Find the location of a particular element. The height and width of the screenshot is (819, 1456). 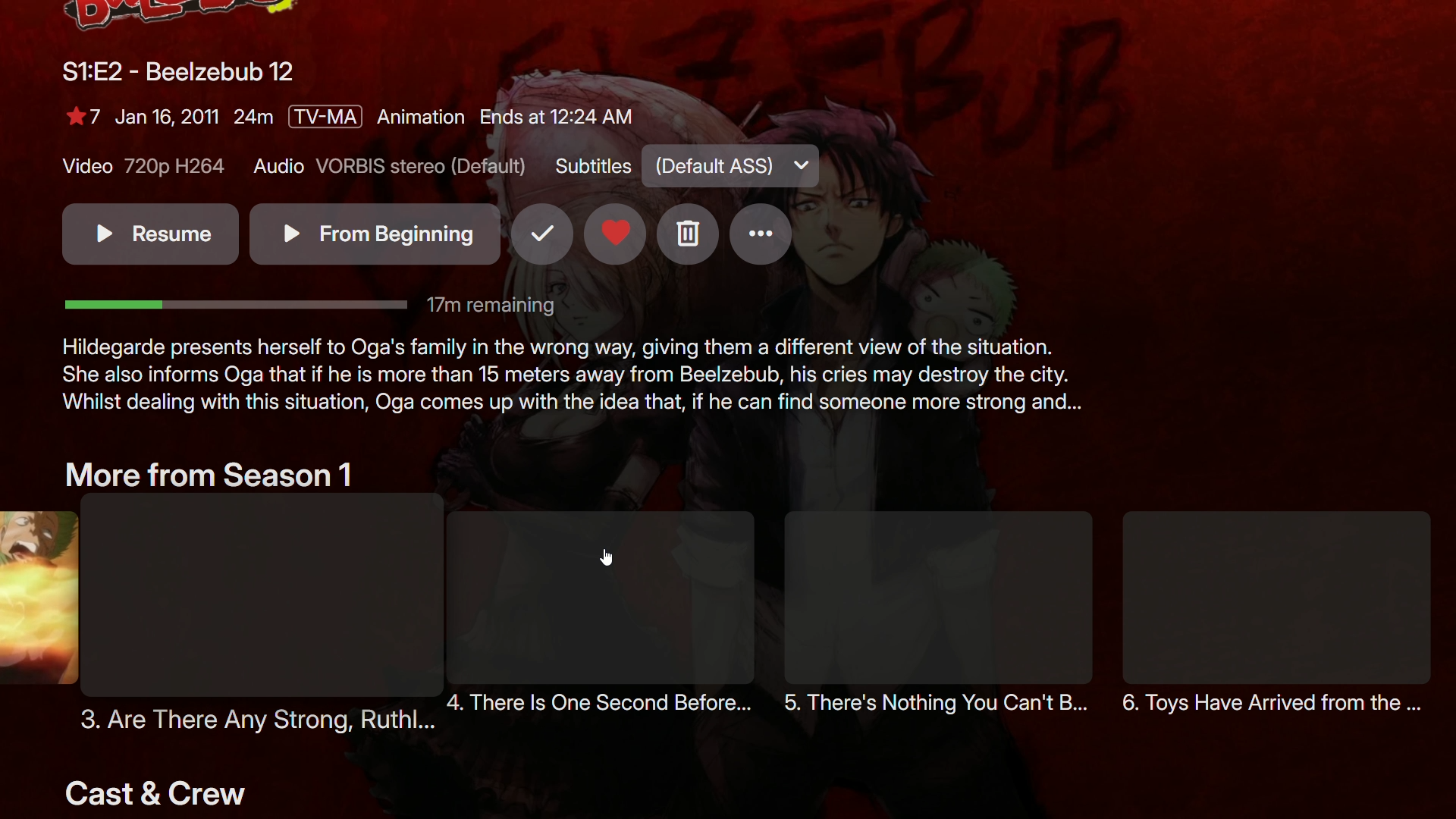

Resume is located at coordinates (149, 234).